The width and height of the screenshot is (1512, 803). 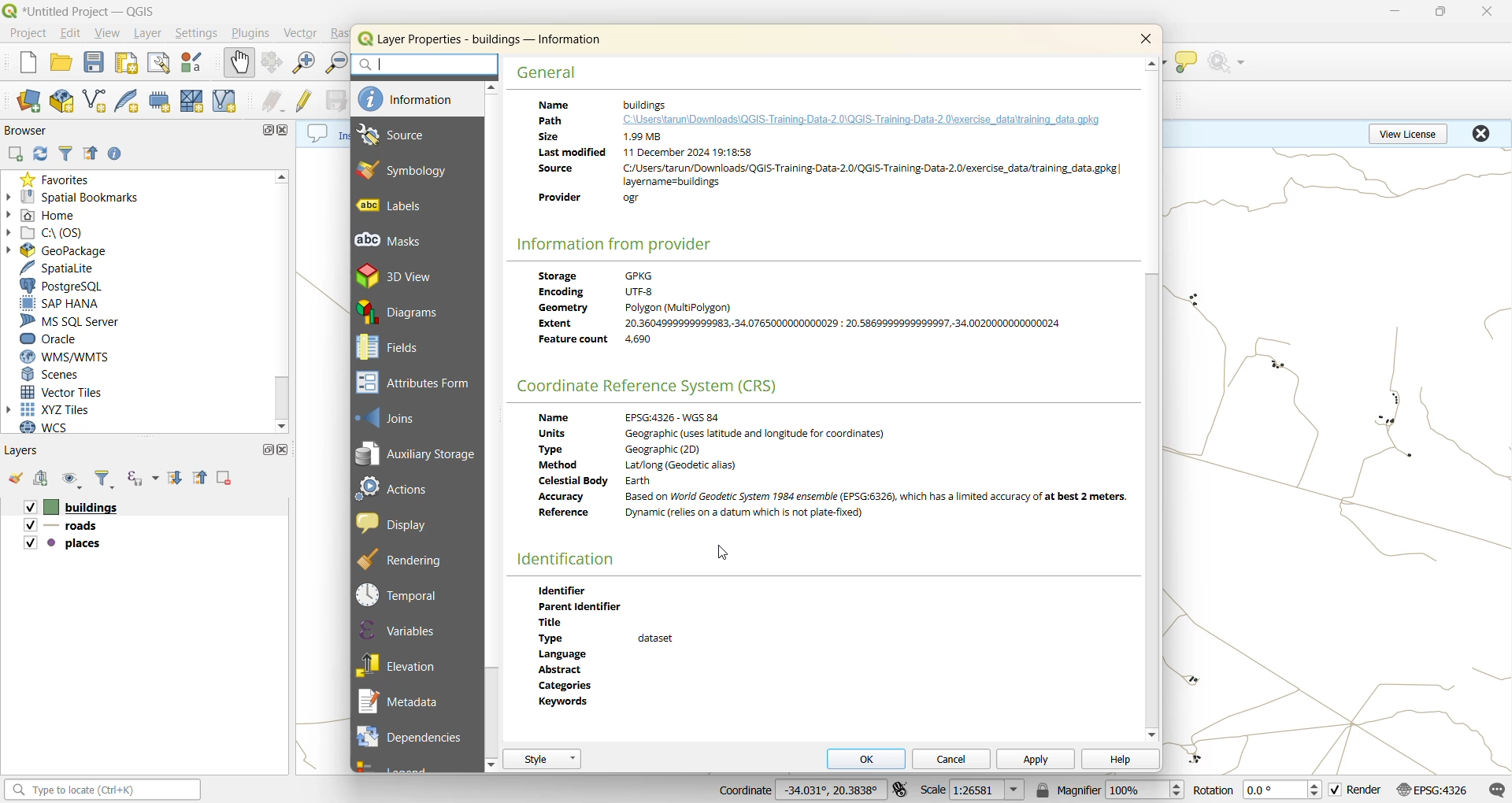 What do you see at coordinates (269, 450) in the screenshot?
I see `maximize` at bounding box center [269, 450].